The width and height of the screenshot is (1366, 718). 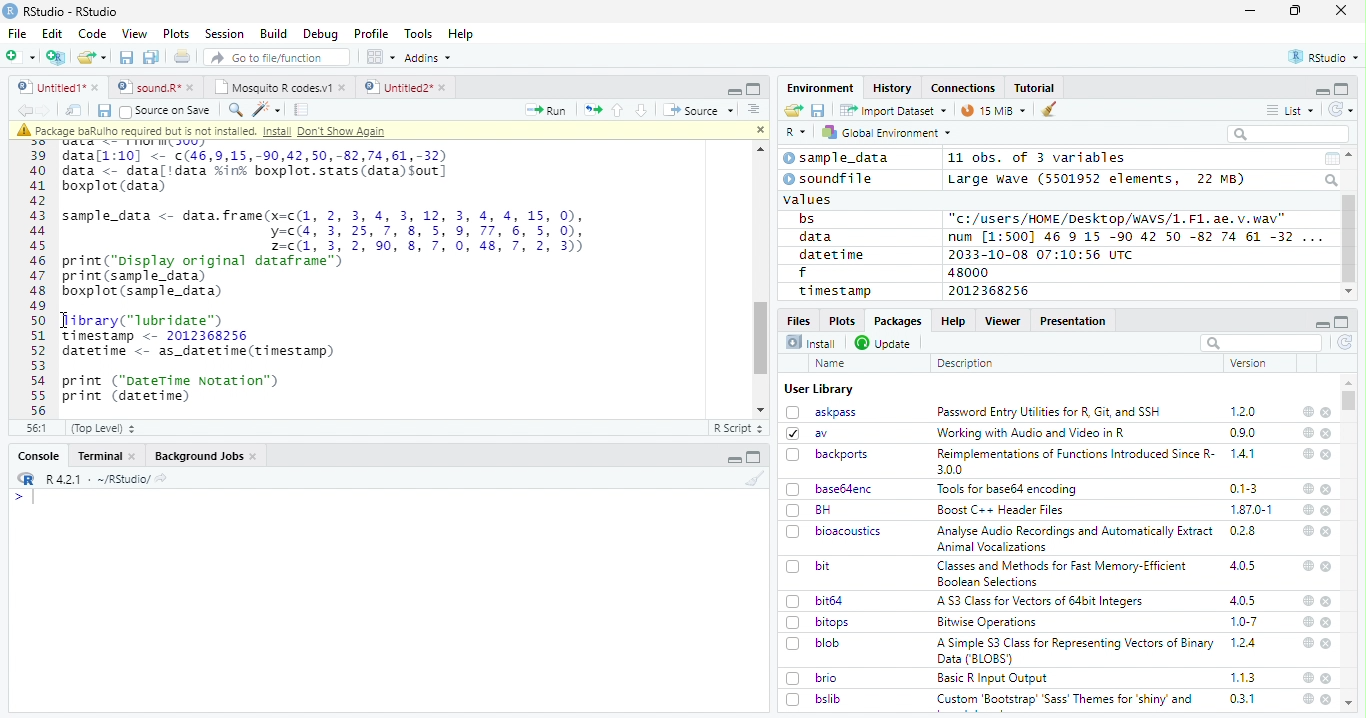 I want to click on Update, so click(x=885, y=343).